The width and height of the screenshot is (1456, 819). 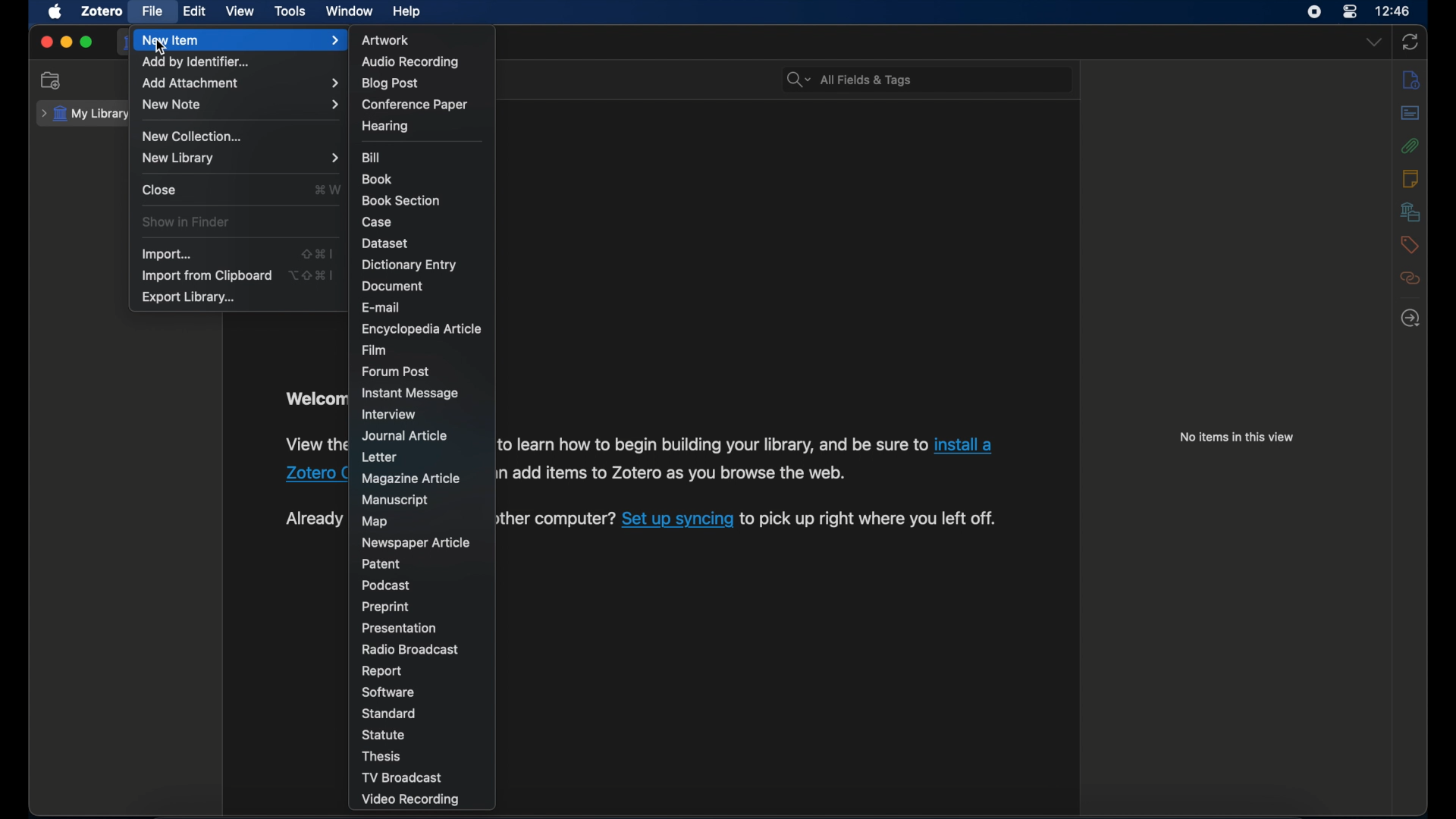 What do you see at coordinates (386, 40) in the screenshot?
I see `artwork` at bounding box center [386, 40].